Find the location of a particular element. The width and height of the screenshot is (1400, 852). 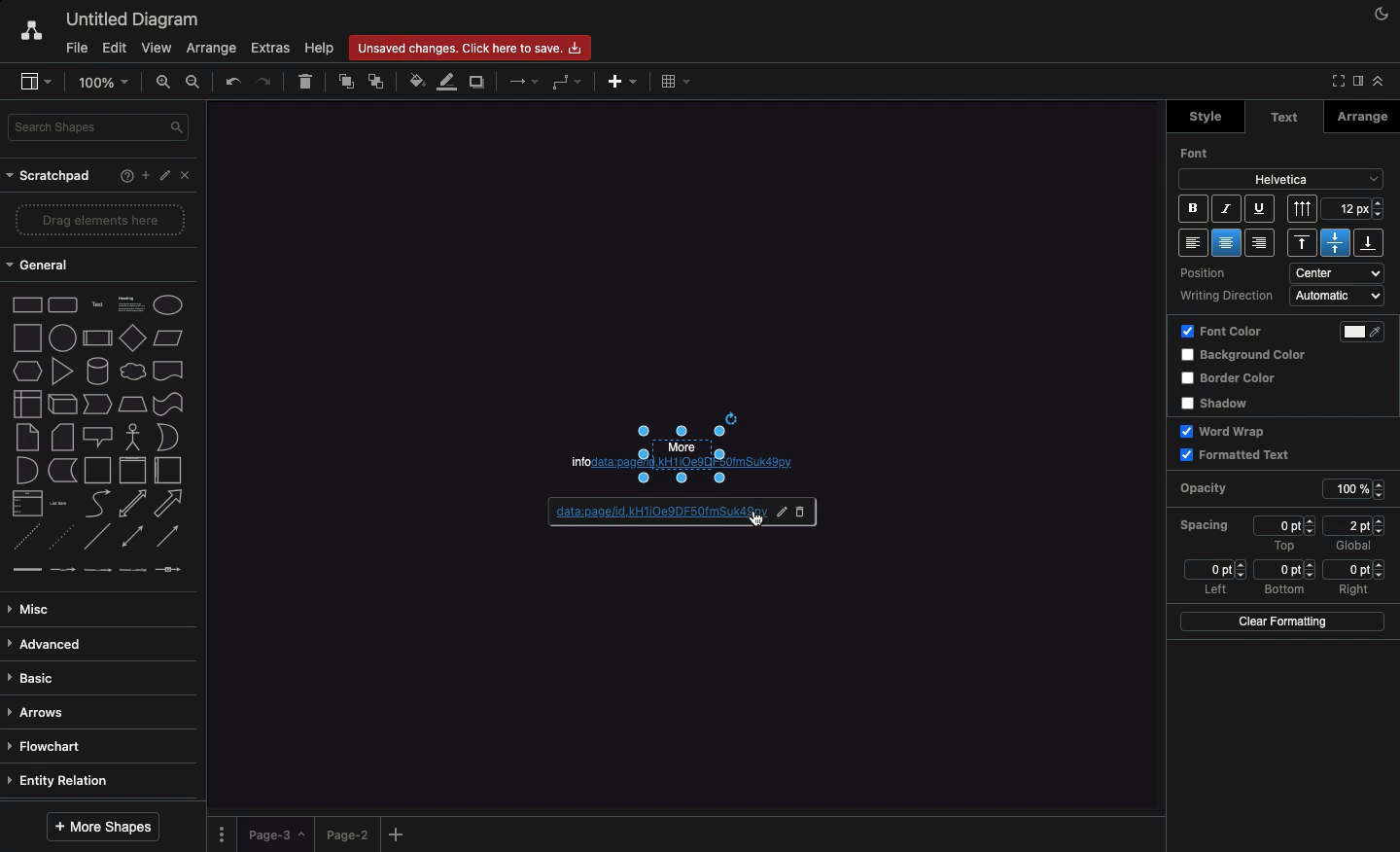

Left aligned is located at coordinates (1193, 242).